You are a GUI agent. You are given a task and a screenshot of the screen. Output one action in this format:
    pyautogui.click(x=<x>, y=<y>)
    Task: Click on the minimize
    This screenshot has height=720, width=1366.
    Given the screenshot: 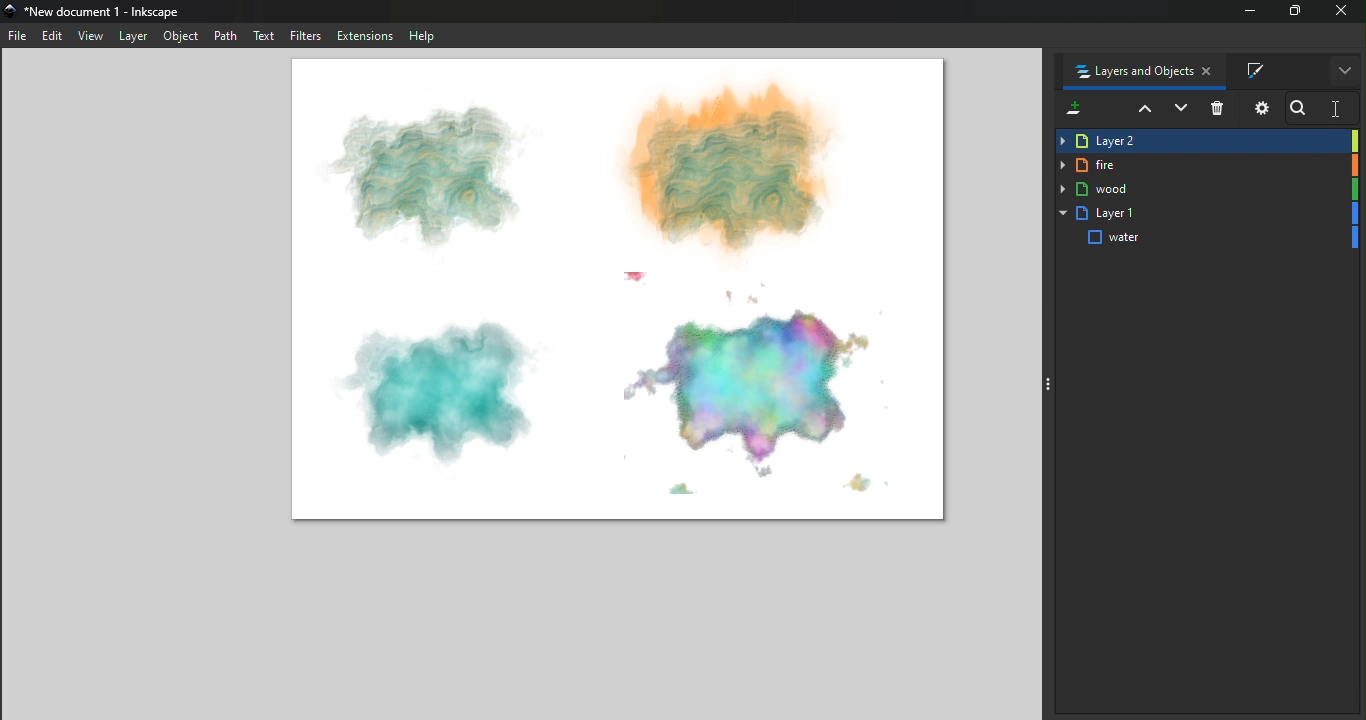 What is the action you would take?
    pyautogui.click(x=1252, y=11)
    